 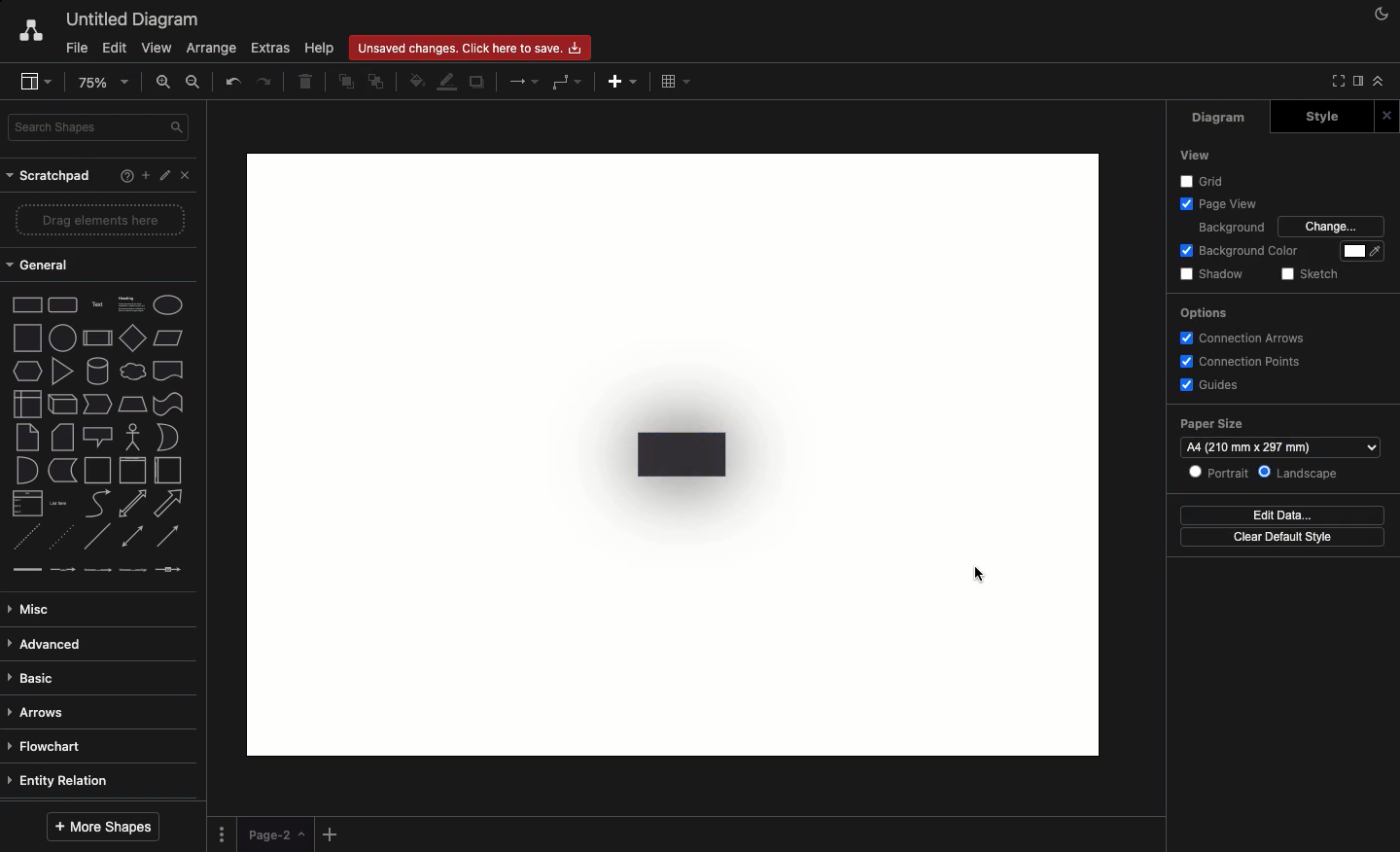 What do you see at coordinates (130, 373) in the screenshot?
I see `cloud` at bounding box center [130, 373].